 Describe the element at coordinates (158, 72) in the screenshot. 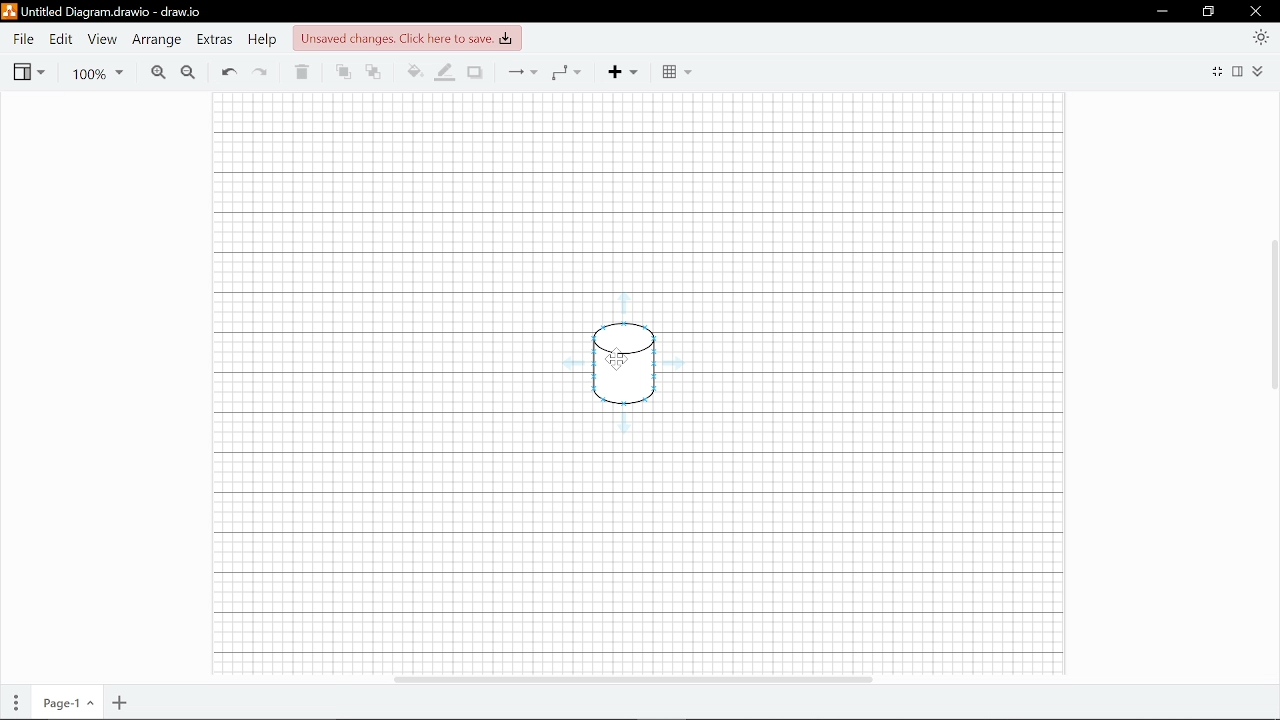

I see `Zoom in` at that location.